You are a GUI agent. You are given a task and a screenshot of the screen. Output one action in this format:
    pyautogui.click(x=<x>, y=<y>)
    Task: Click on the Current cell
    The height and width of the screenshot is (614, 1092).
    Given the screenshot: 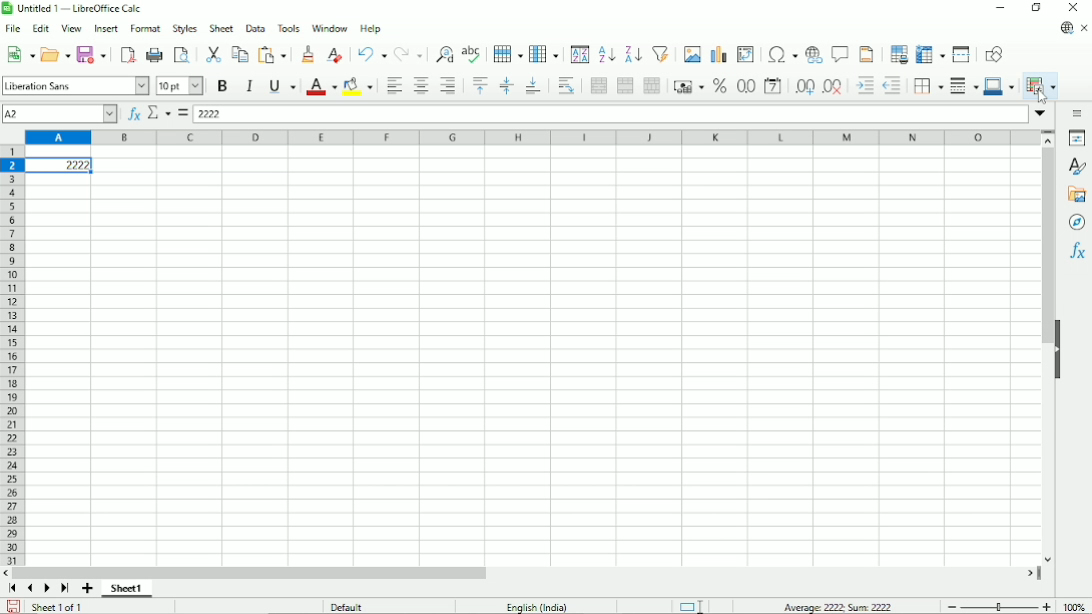 What is the action you would take?
    pyautogui.click(x=59, y=114)
    